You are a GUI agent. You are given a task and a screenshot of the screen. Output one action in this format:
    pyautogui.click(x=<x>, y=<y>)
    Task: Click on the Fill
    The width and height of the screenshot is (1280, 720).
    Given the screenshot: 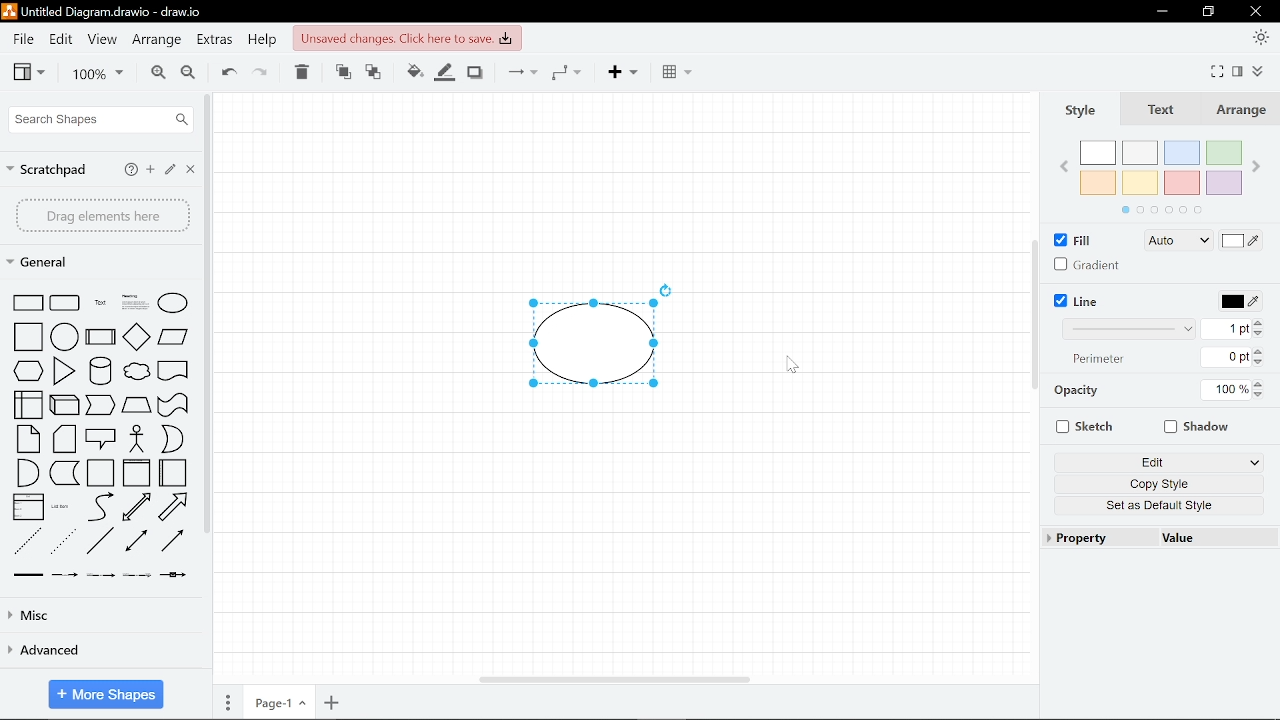 What is the action you would take?
    pyautogui.click(x=1073, y=240)
    